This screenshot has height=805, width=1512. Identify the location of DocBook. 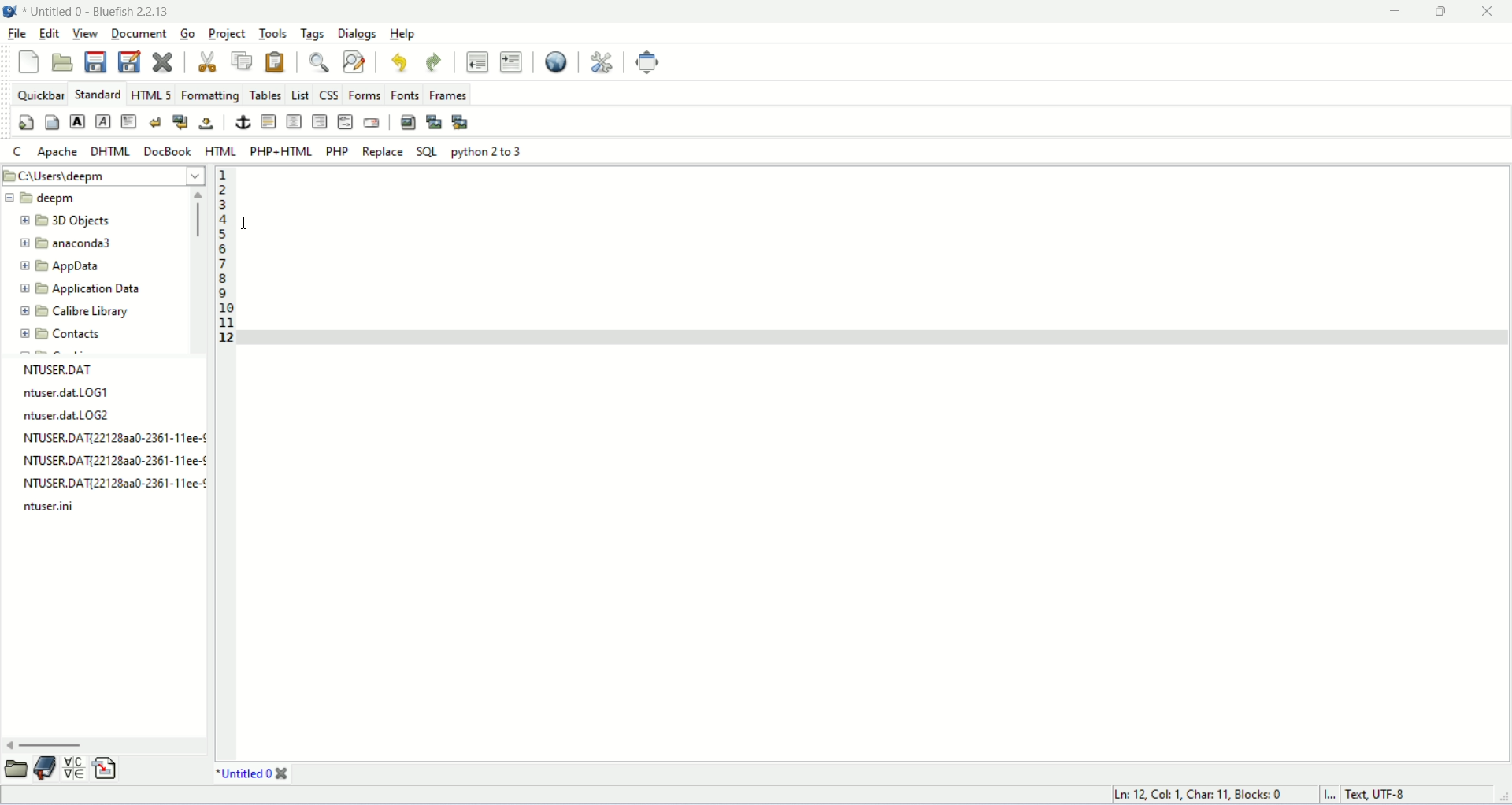
(167, 151).